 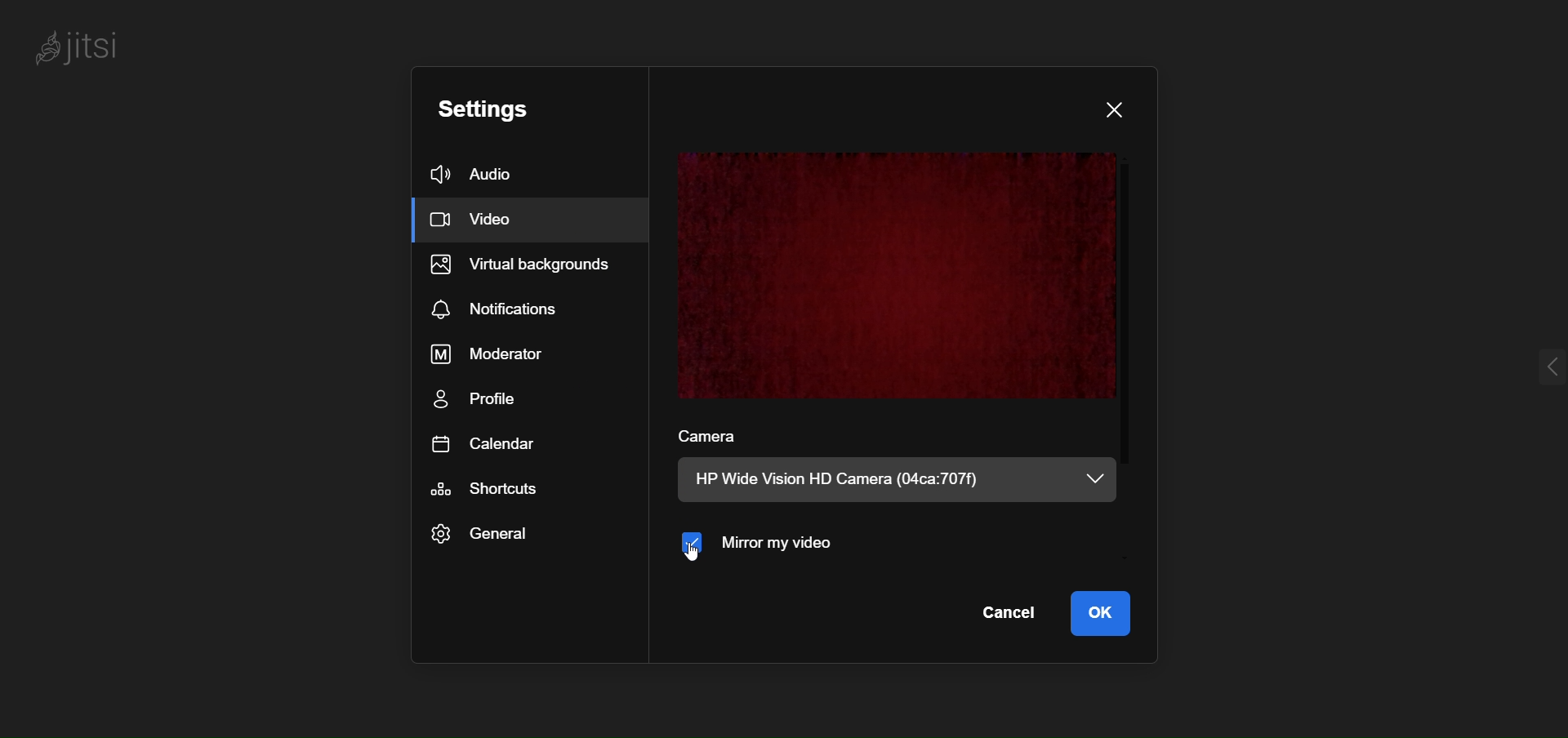 I want to click on camera, so click(x=720, y=438).